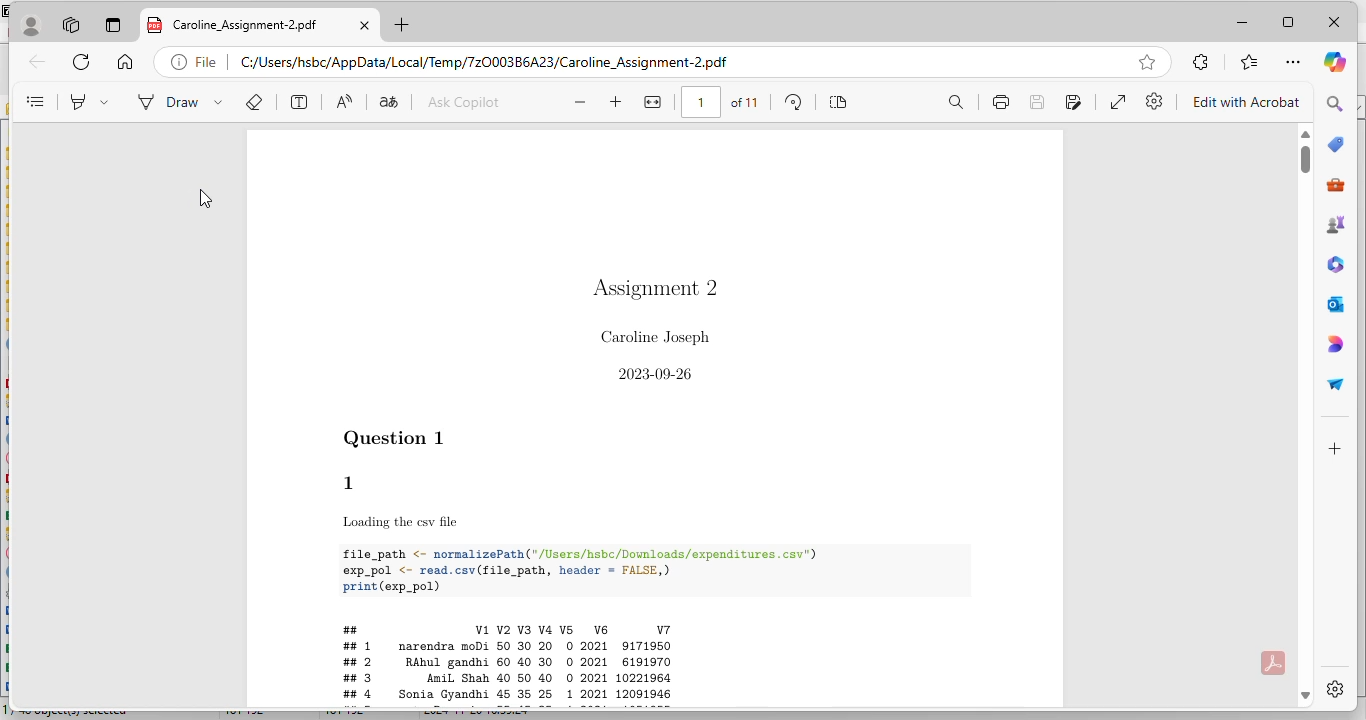  Describe the element at coordinates (794, 103) in the screenshot. I see `rotate` at that location.